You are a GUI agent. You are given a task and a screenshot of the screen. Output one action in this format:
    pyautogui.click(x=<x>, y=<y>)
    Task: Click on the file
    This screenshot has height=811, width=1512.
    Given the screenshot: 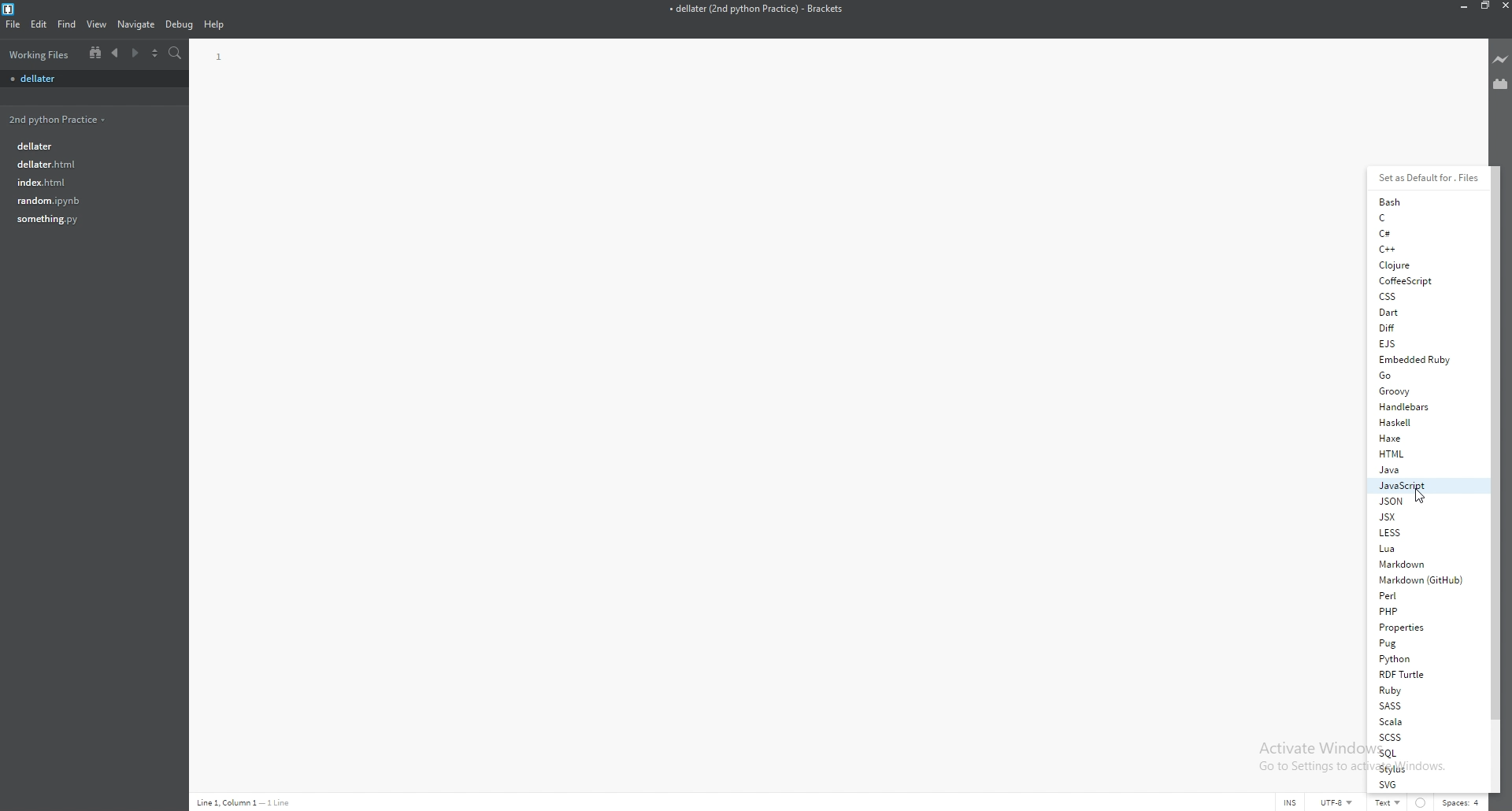 What is the action you would take?
    pyautogui.click(x=90, y=163)
    